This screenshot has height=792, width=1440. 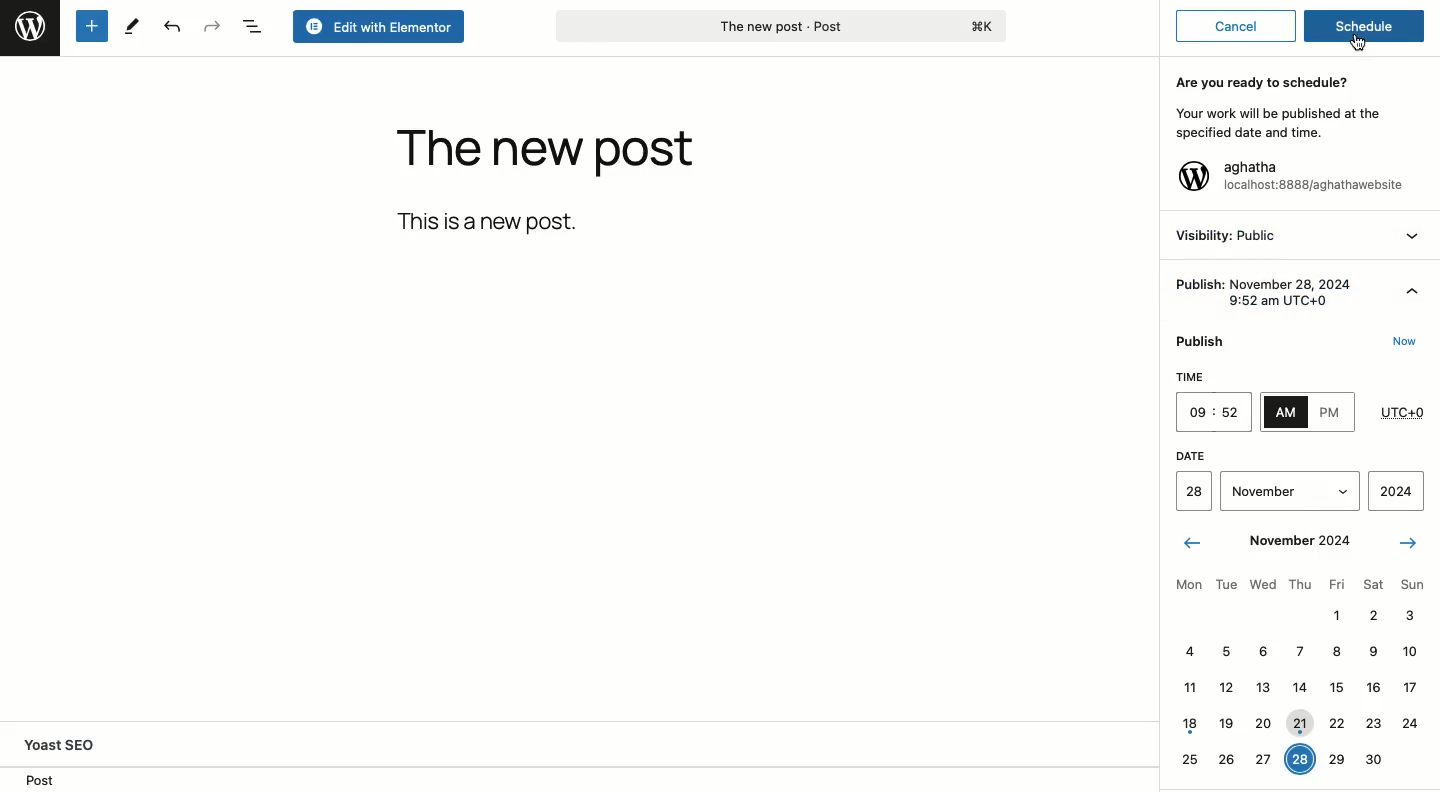 I want to click on Undo, so click(x=172, y=27).